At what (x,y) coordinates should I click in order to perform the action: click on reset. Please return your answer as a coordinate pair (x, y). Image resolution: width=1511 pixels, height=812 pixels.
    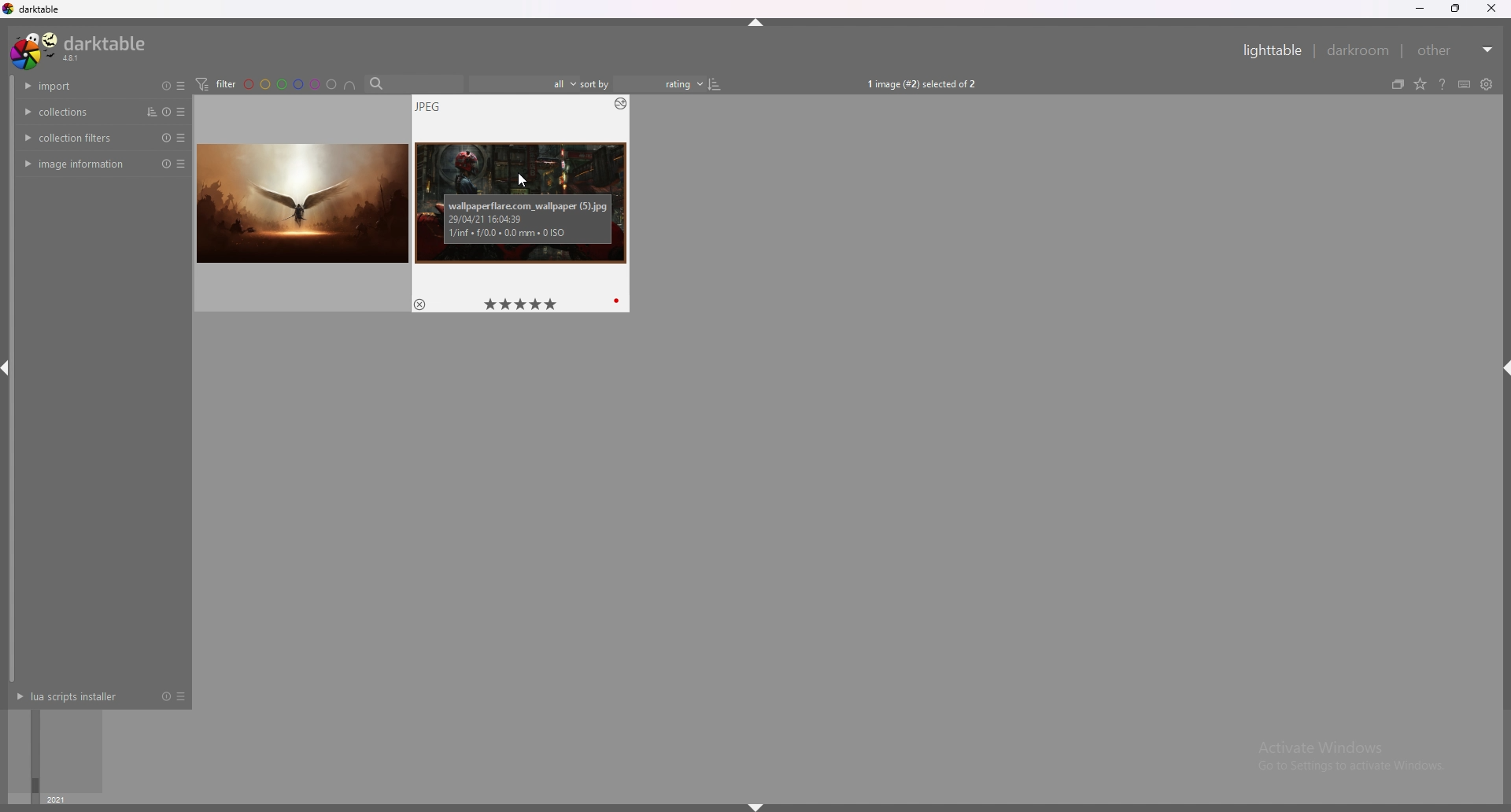
    Looking at the image, I should click on (166, 86).